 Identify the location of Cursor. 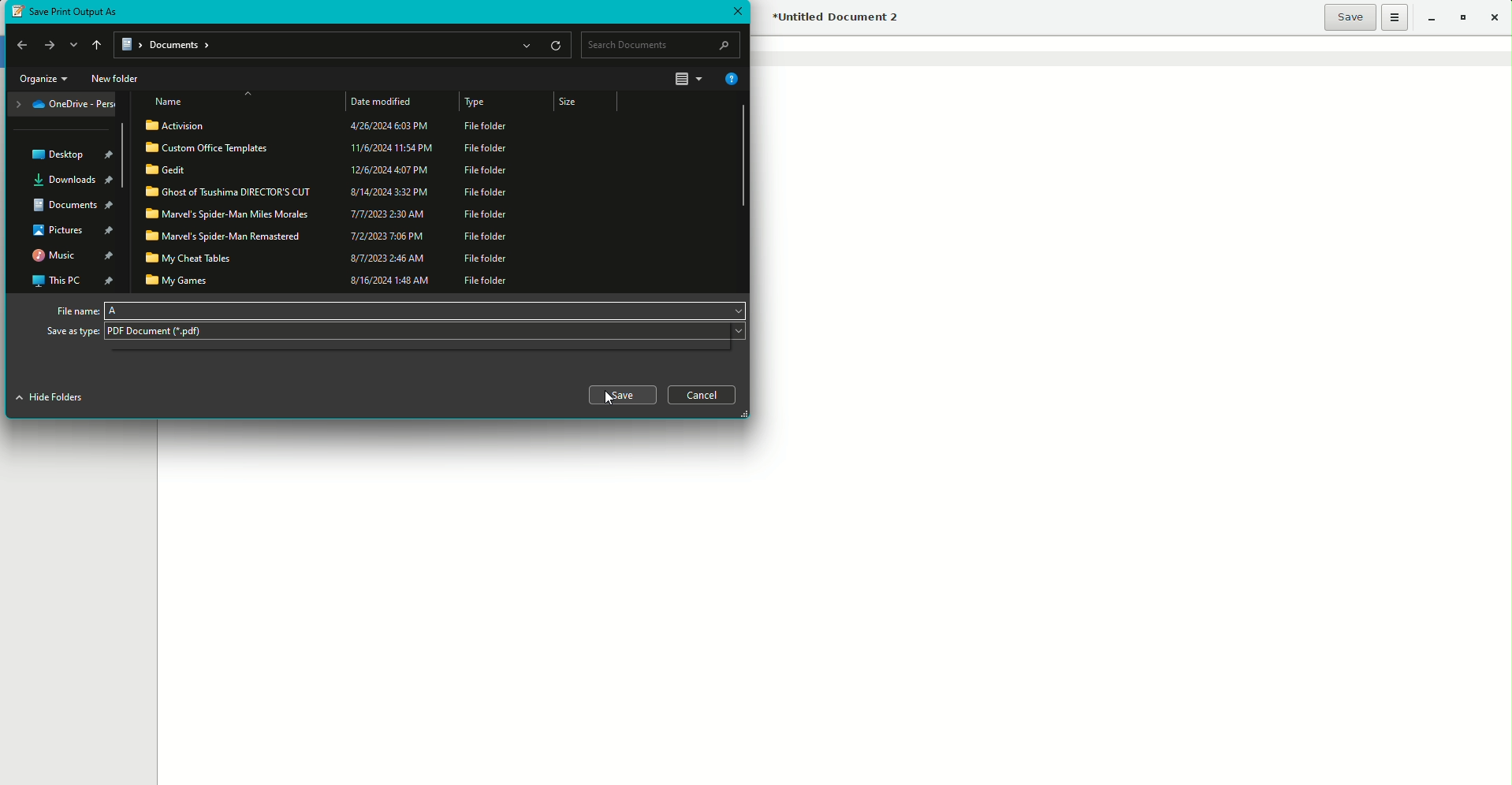
(610, 400).